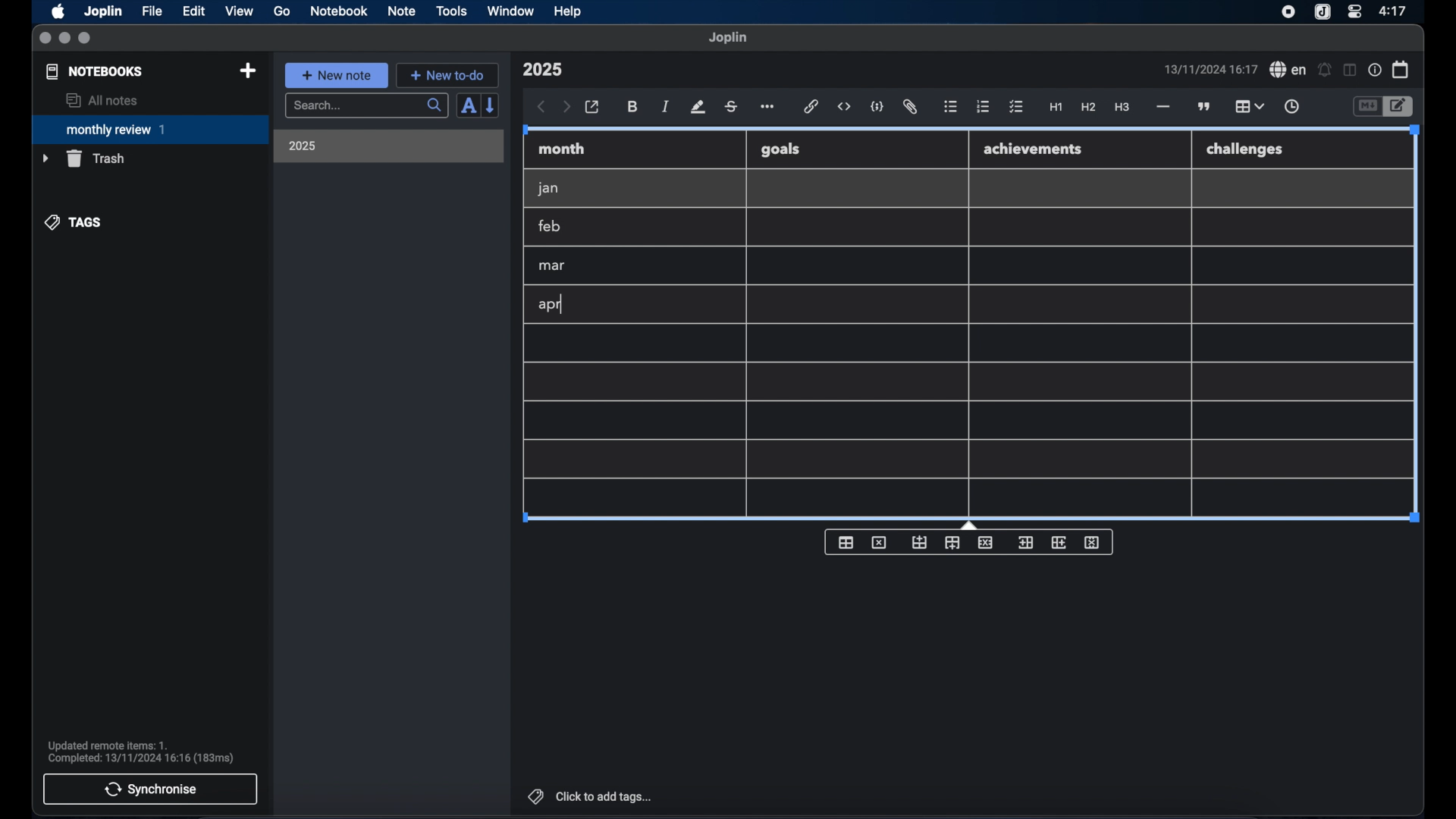  I want to click on toggle editor, so click(1401, 107).